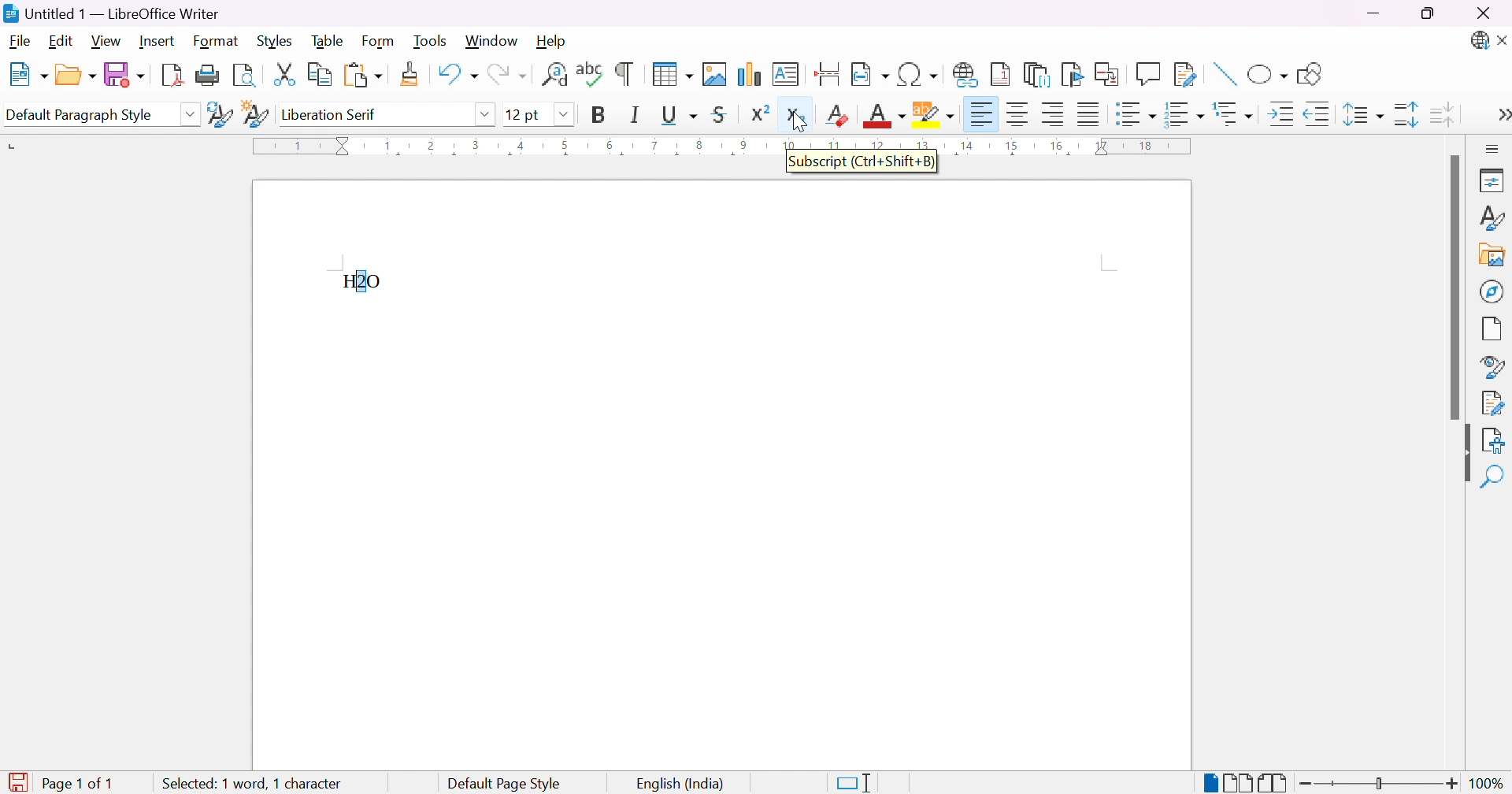 Image resolution: width=1512 pixels, height=794 pixels. I want to click on Export as PDF, so click(171, 74).